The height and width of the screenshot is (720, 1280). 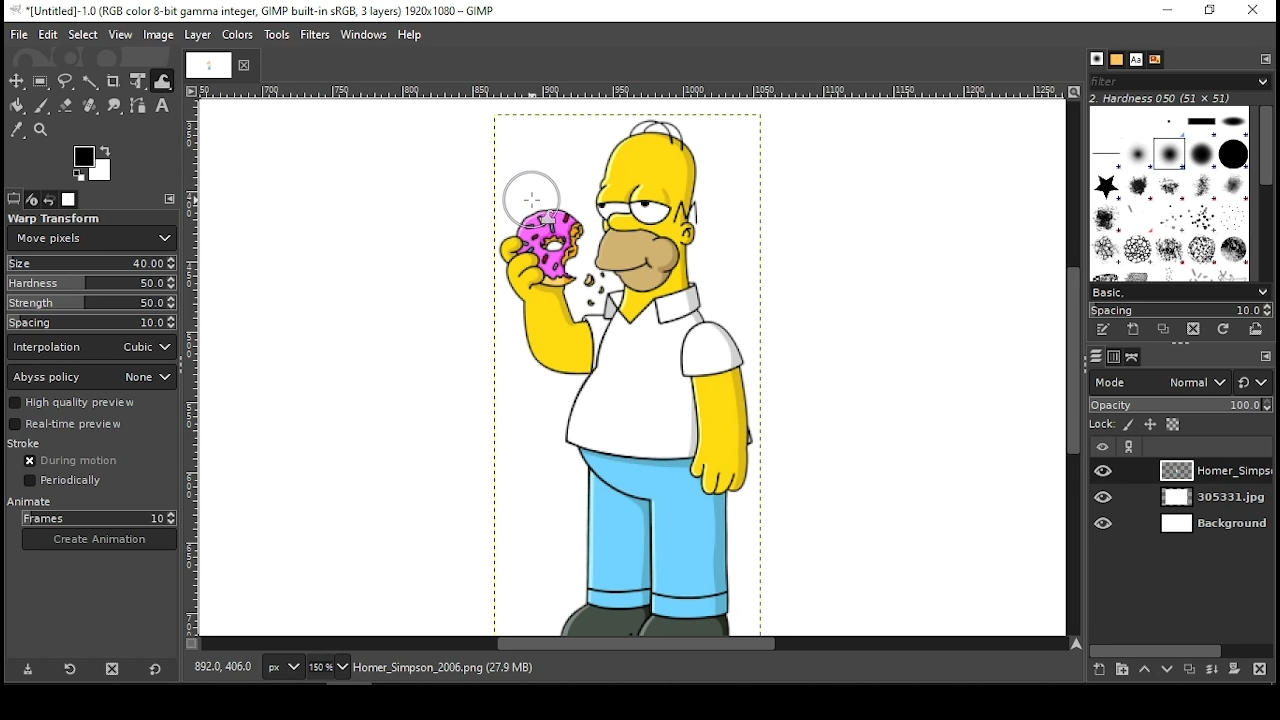 What do you see at coordinates (1115, 357) in the screenshot?
I see `channels` at bounding box center [1115, 357].